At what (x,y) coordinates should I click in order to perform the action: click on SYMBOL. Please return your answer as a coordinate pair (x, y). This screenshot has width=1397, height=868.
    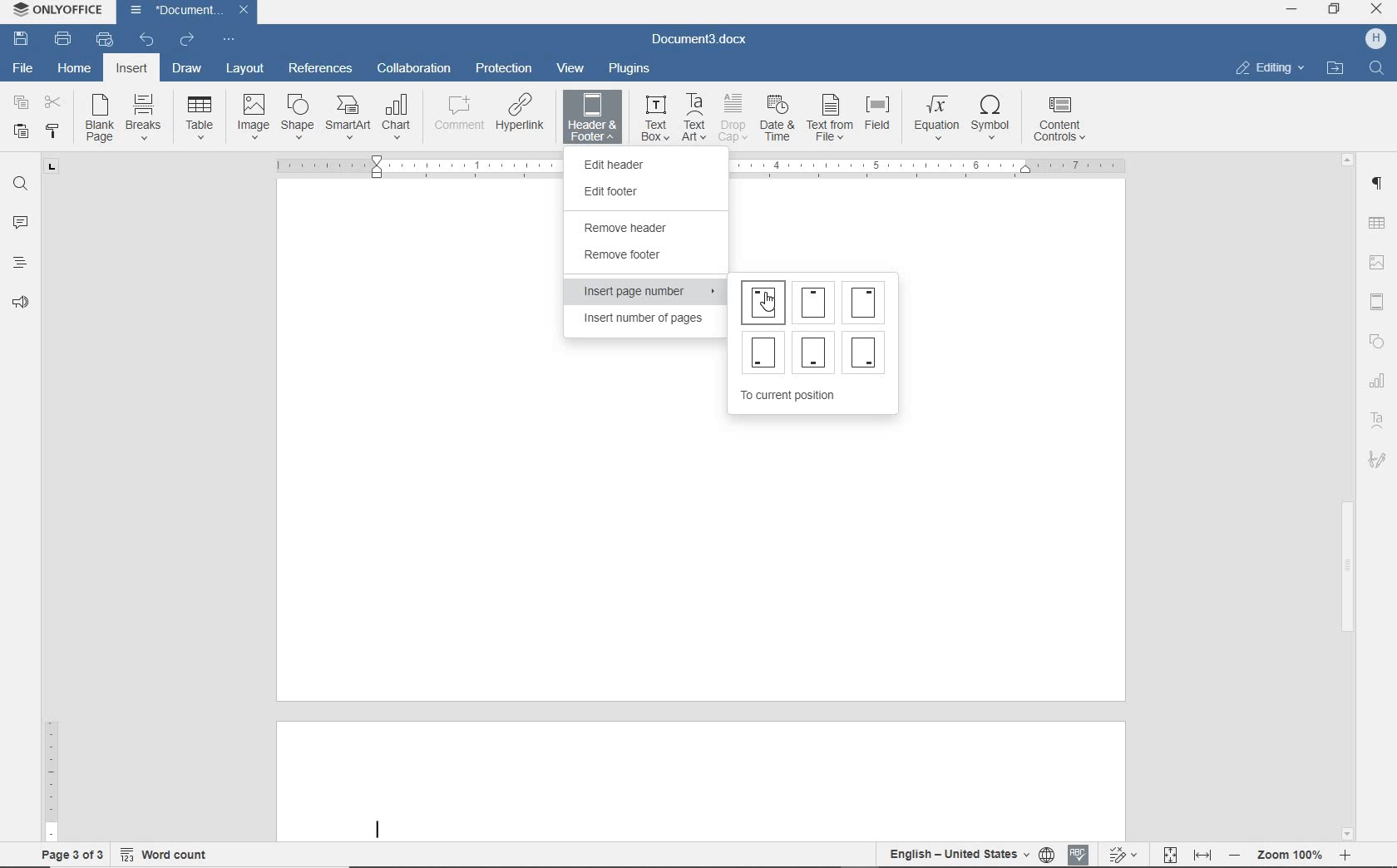
    Looking at the image, I should click on (994, 116).